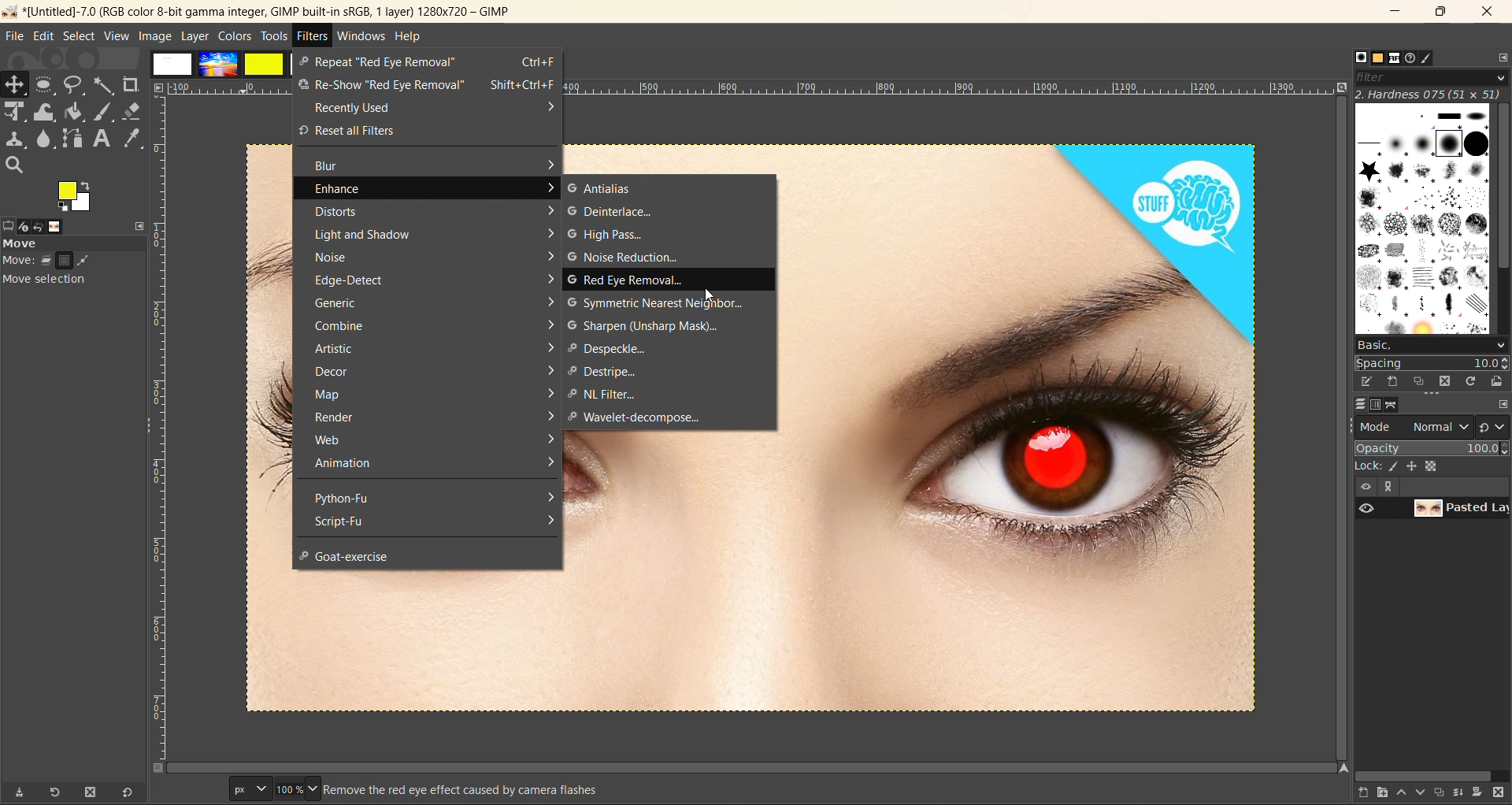  I want to click on vertical scroll bar, so click(1503, 193).